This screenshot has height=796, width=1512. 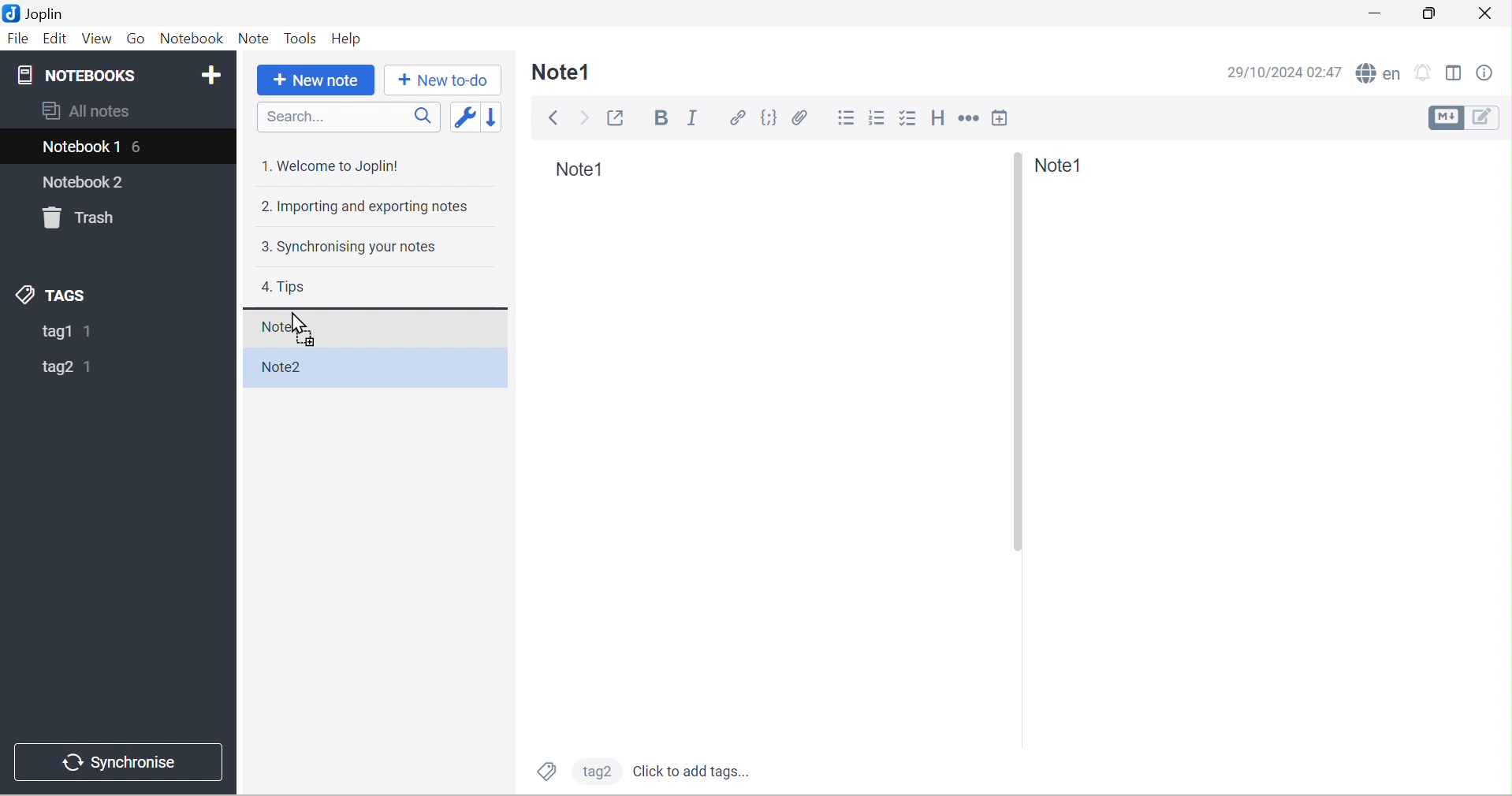 I want to click on Minimize, so click(x=1378, y=14).